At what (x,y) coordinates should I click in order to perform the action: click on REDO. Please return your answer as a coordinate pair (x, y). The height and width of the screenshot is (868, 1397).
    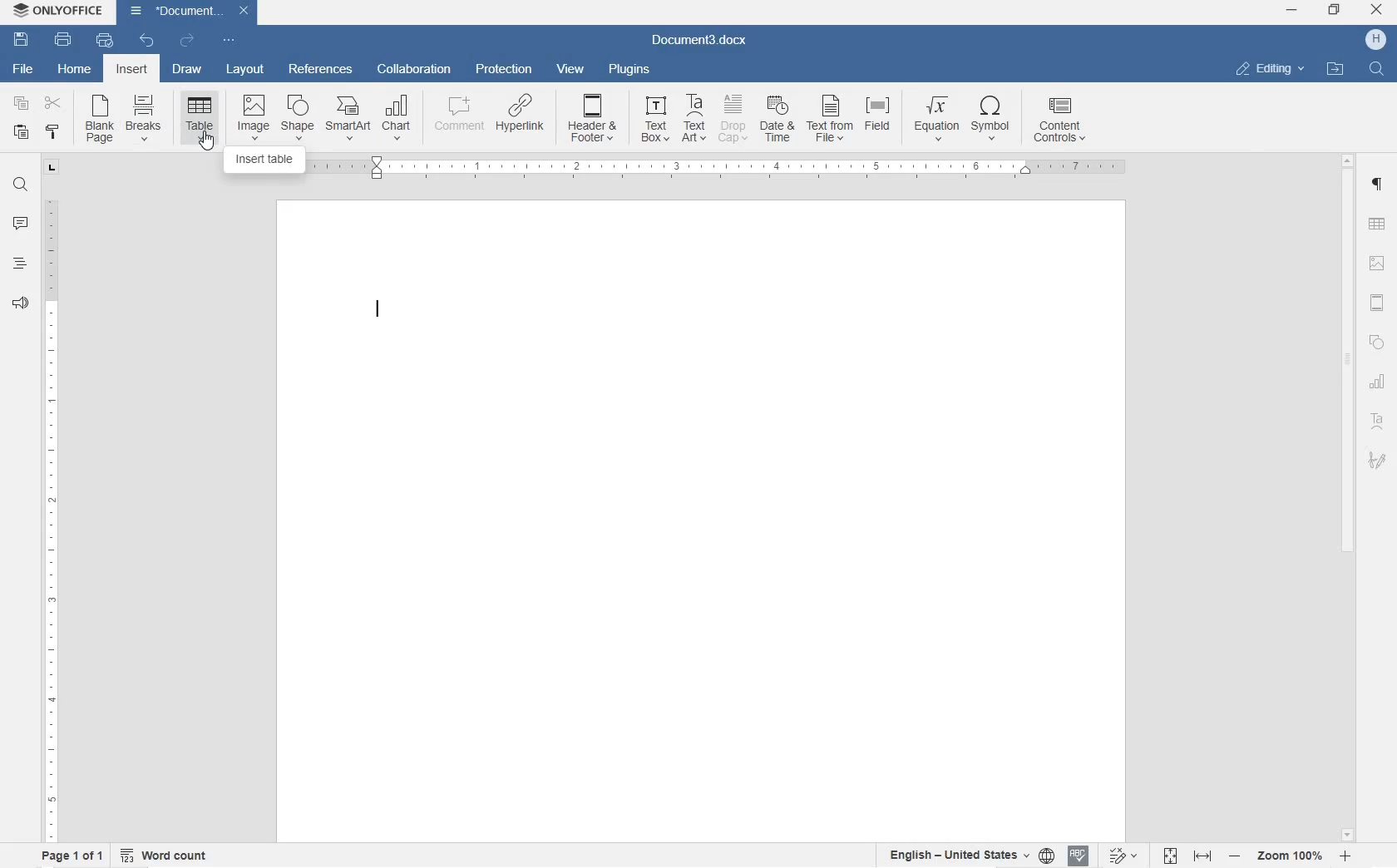
    Looking at the image, I should click on (186, 40).